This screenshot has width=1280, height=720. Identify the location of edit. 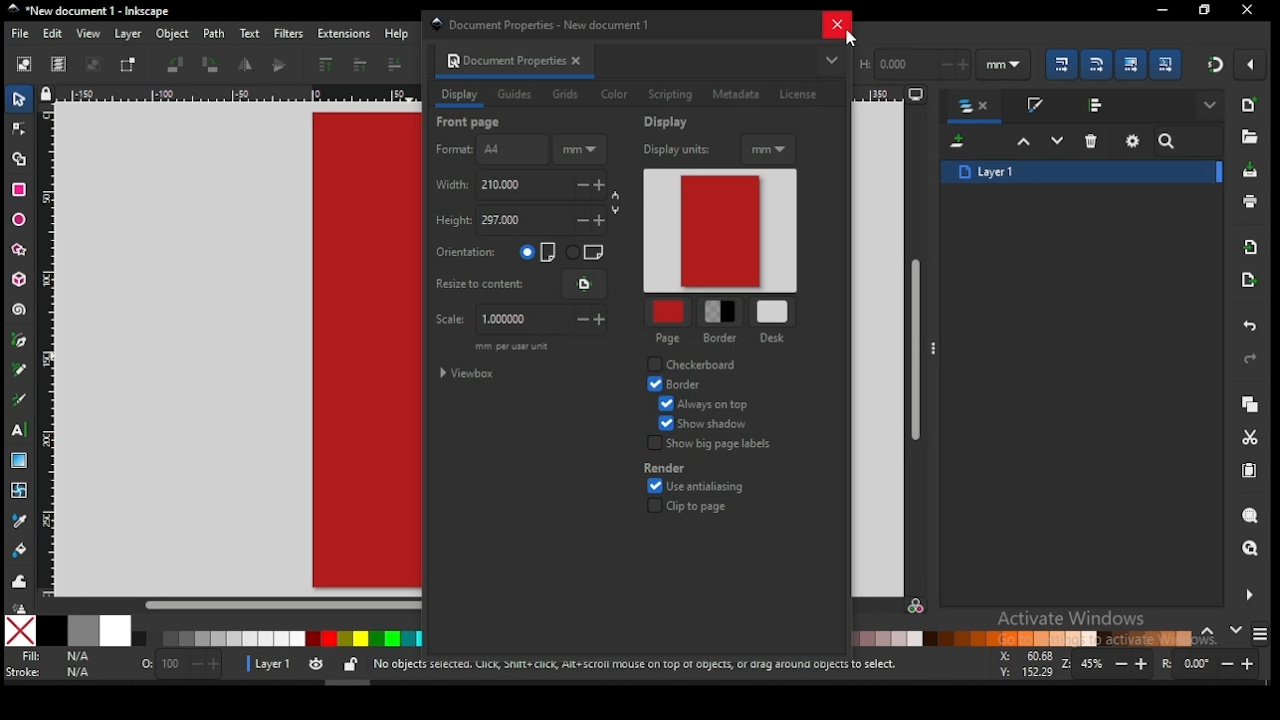
(56, 34).